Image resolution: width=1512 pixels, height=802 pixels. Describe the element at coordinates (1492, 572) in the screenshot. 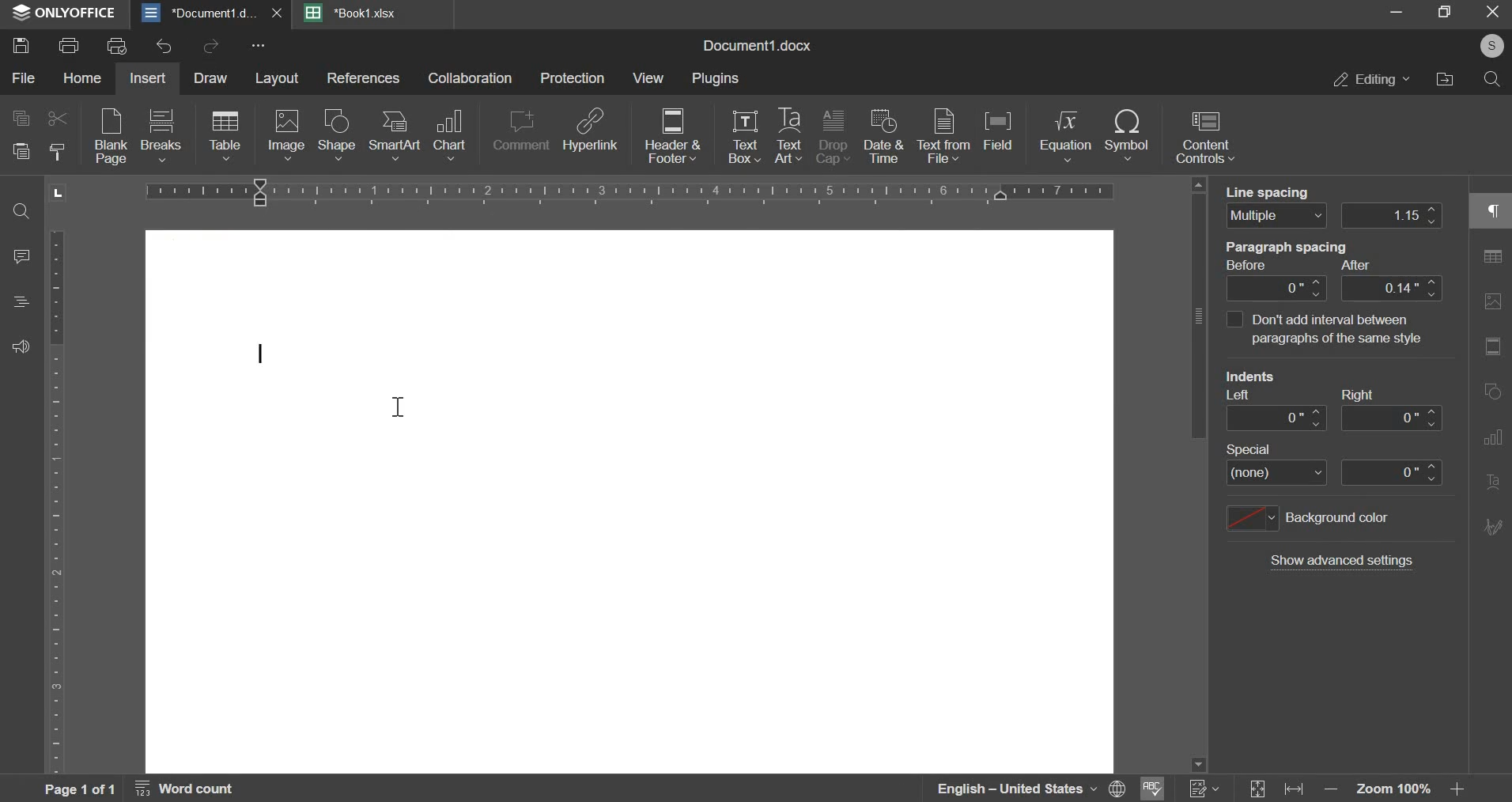

I see `Chart filter` at that location.